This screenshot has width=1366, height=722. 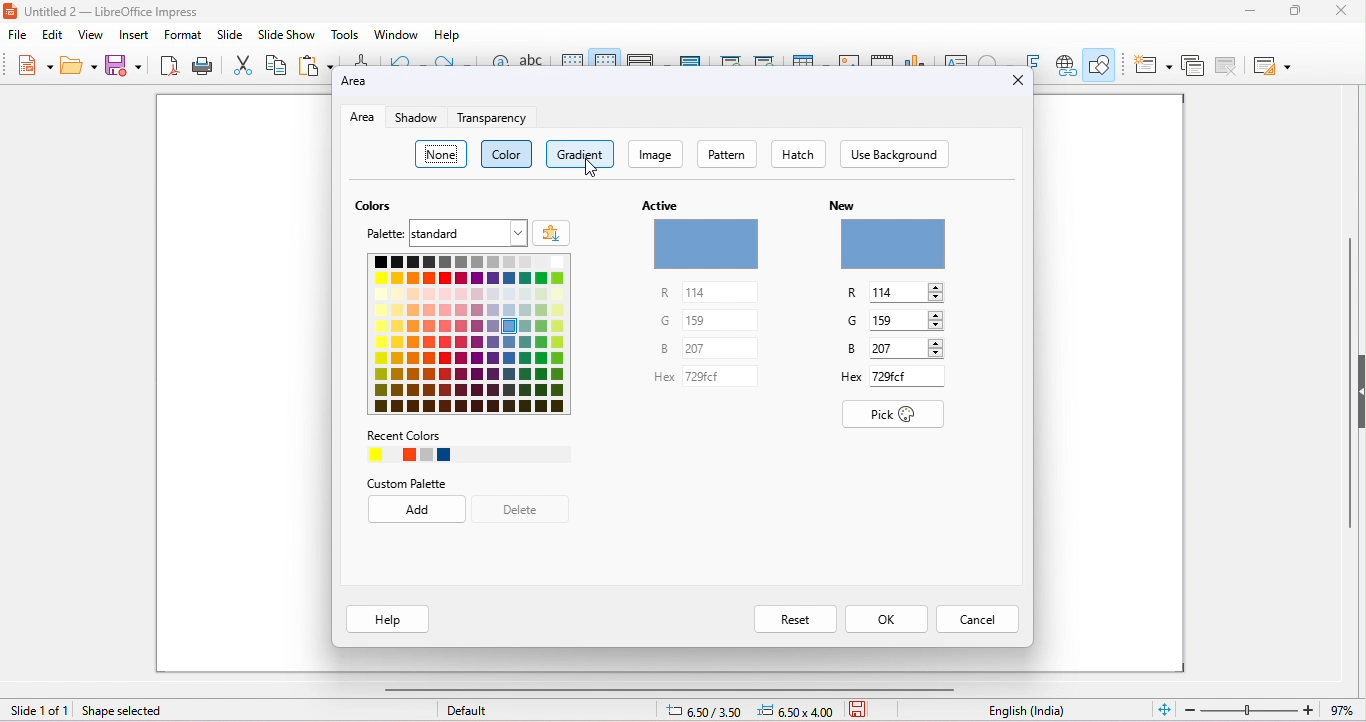 I want to click on window, so click(x=397, y=34).